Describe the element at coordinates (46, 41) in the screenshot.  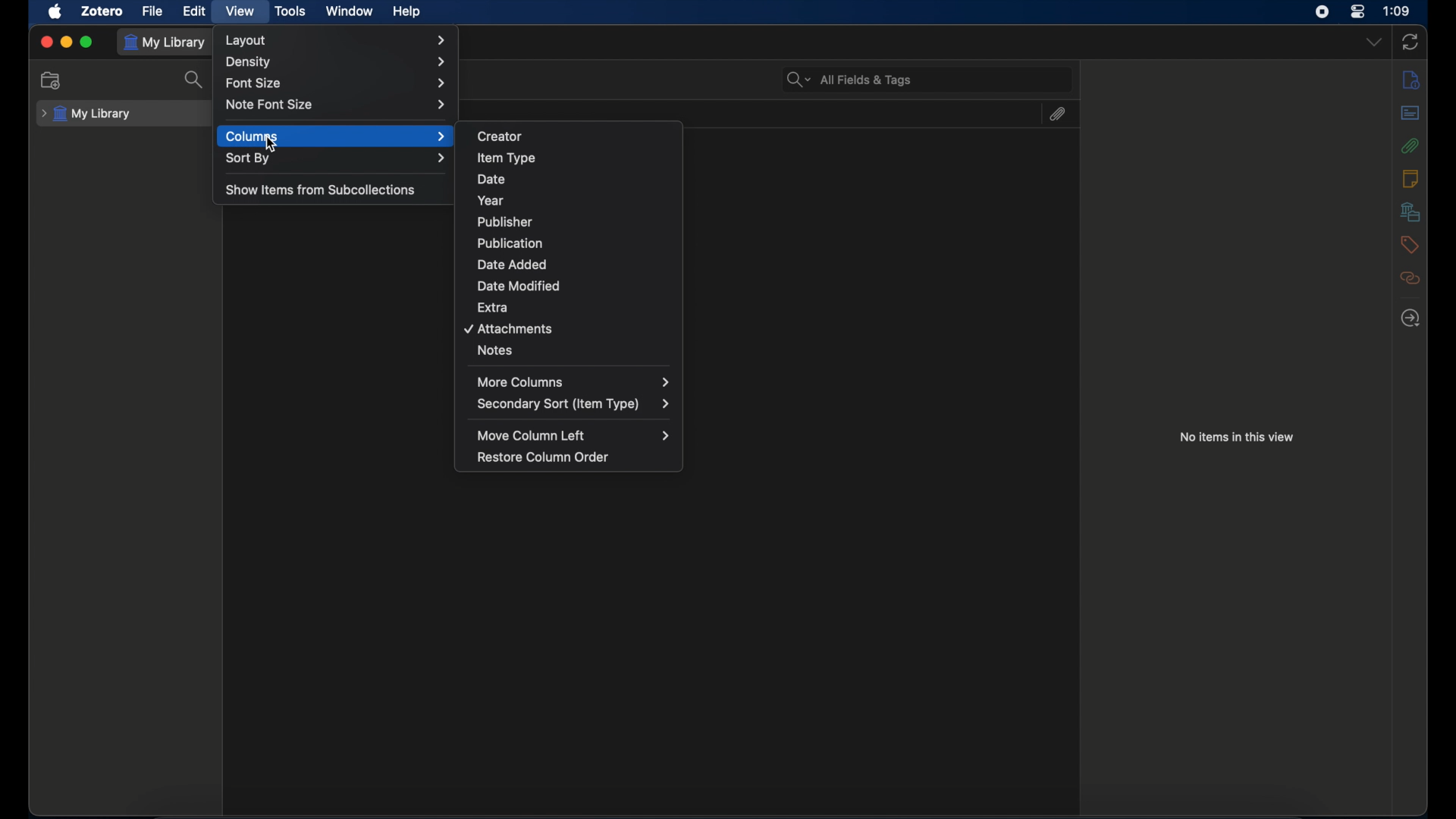
I see `close` at that location.